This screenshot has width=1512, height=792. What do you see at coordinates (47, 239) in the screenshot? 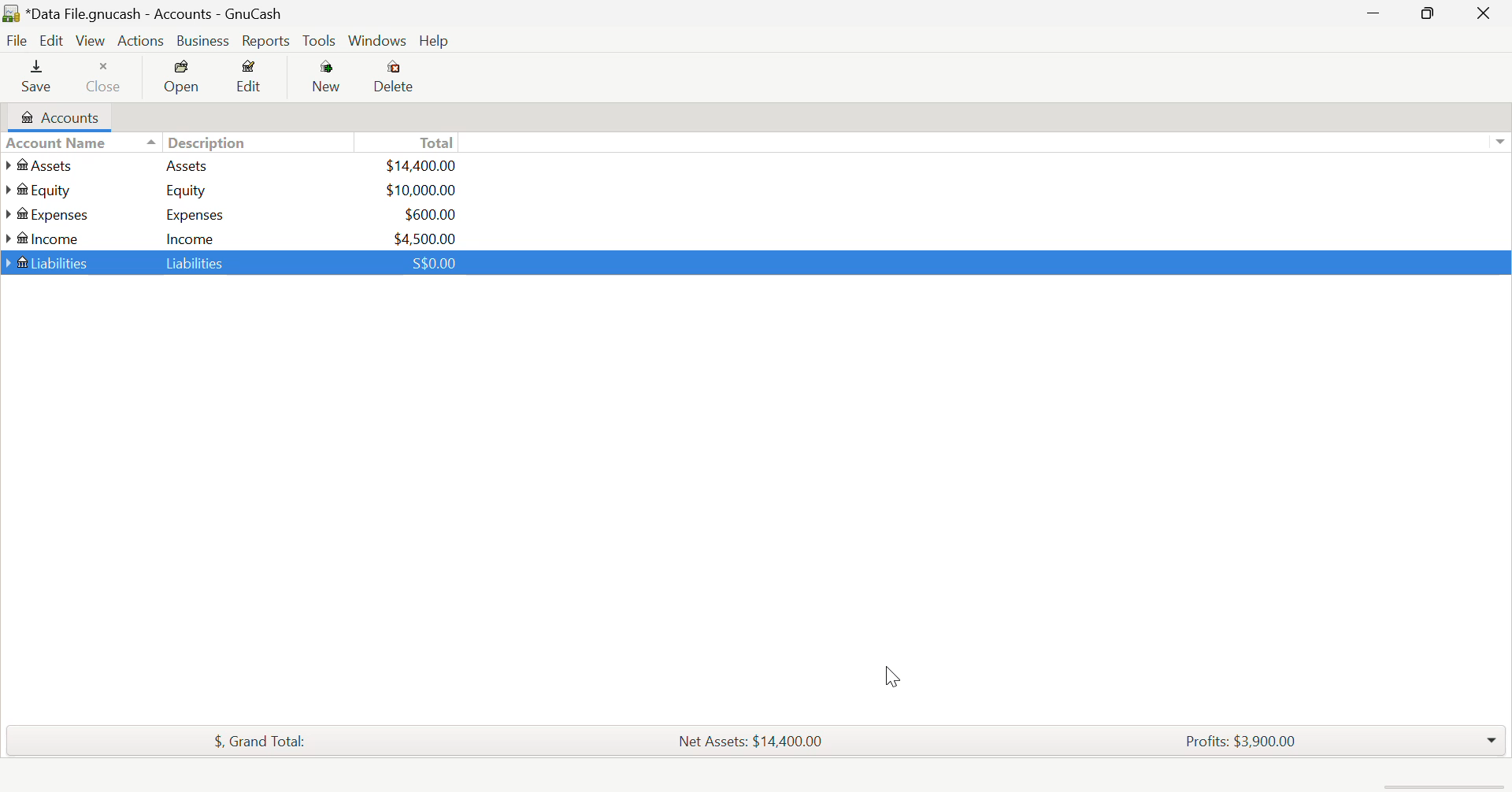
I see `Income Account` at bounding box center [47, 239].